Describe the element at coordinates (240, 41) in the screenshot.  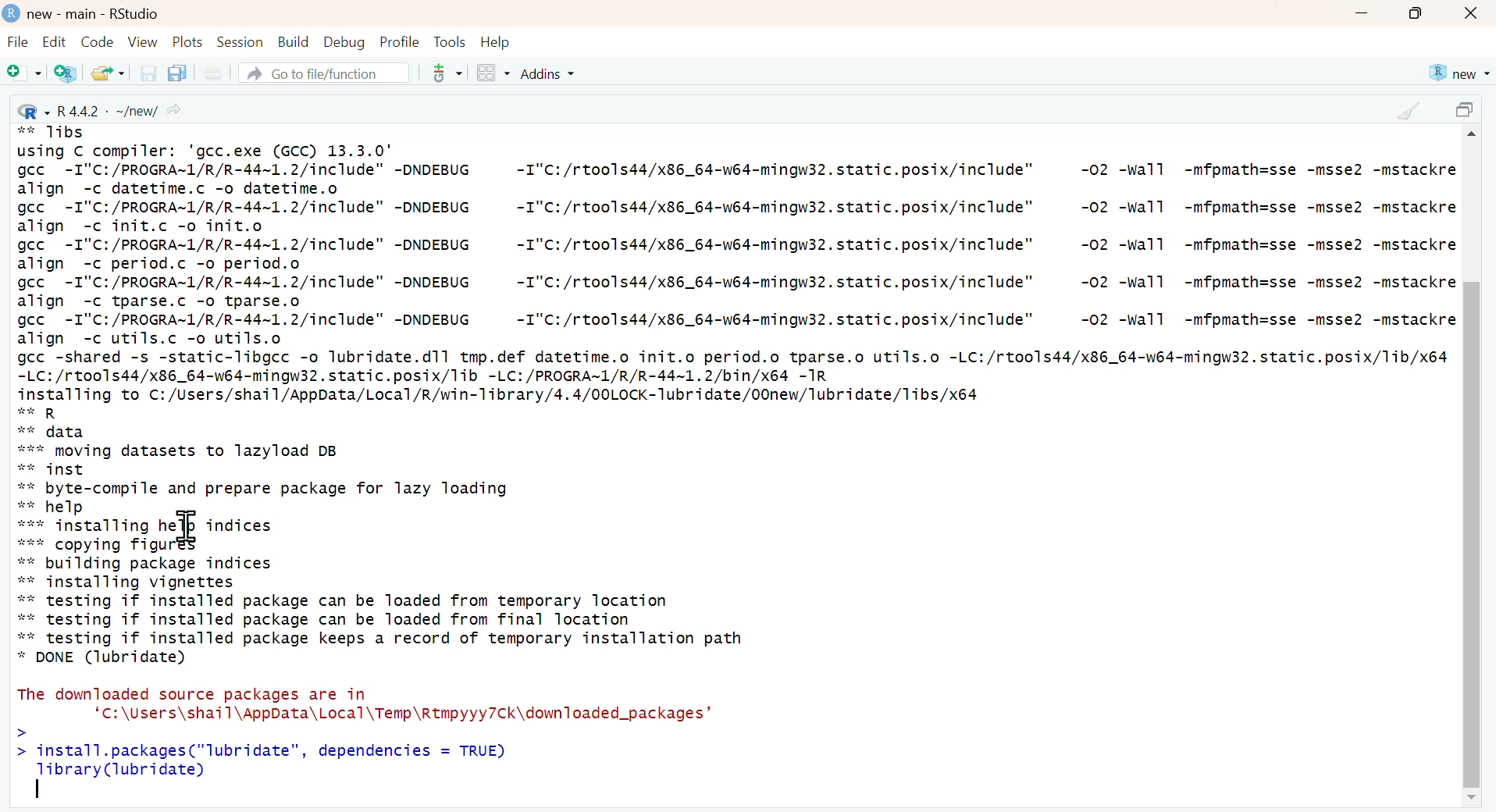
I see `Session` at that location.